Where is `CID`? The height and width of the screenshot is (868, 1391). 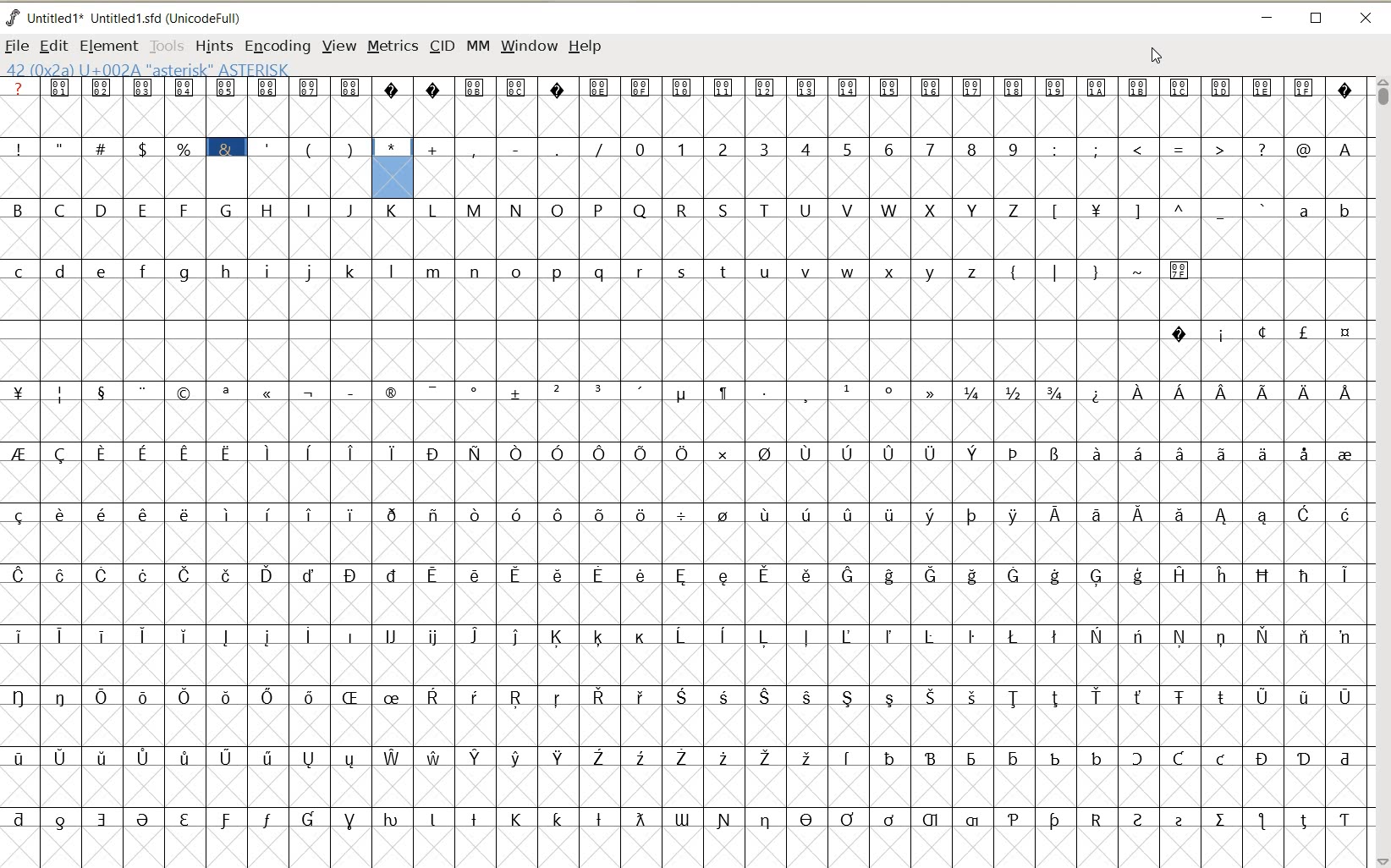
CID is located at coordinates (440, 46).